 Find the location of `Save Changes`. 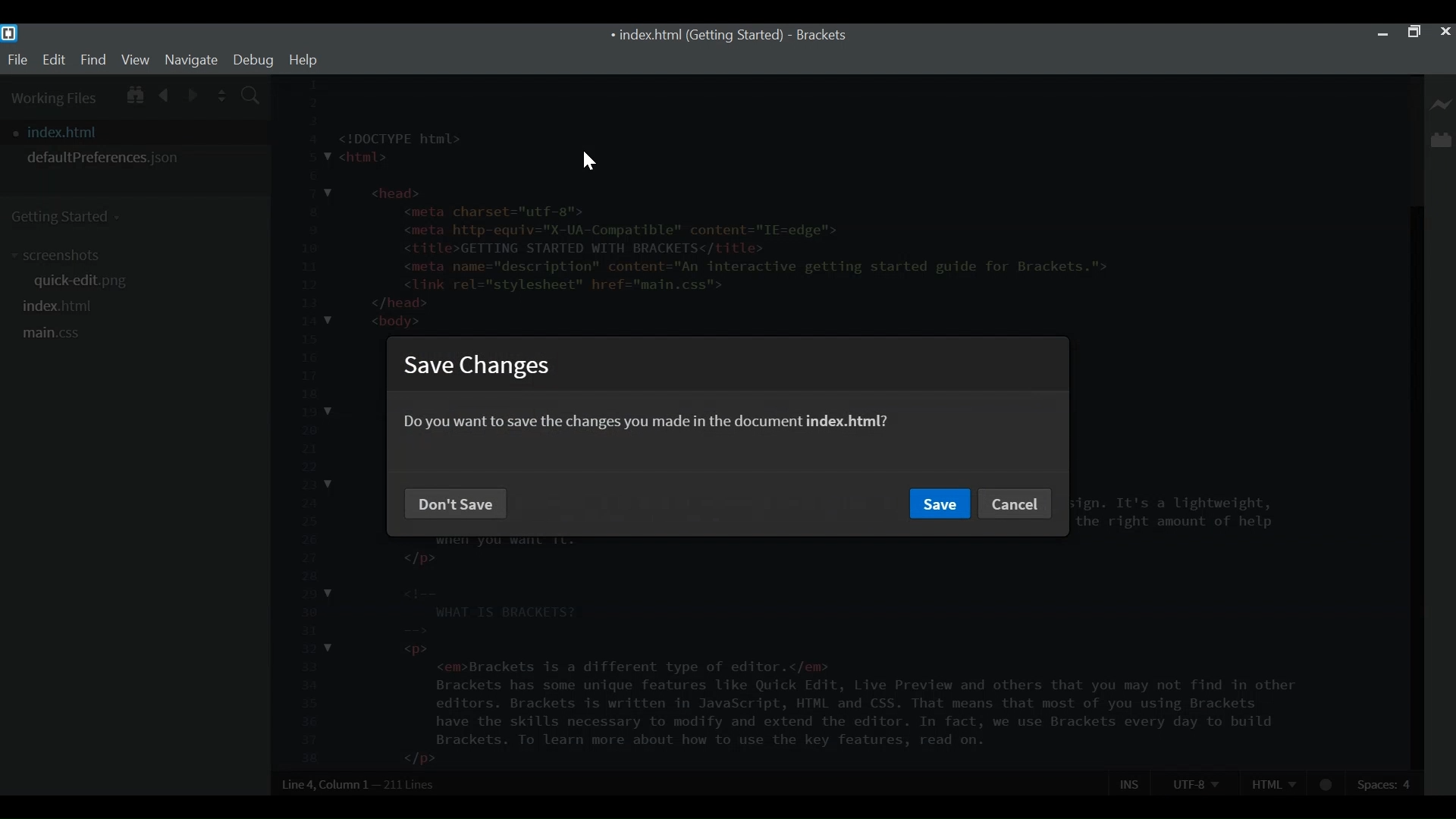

Save Changes is located at coordinates (479, 366).